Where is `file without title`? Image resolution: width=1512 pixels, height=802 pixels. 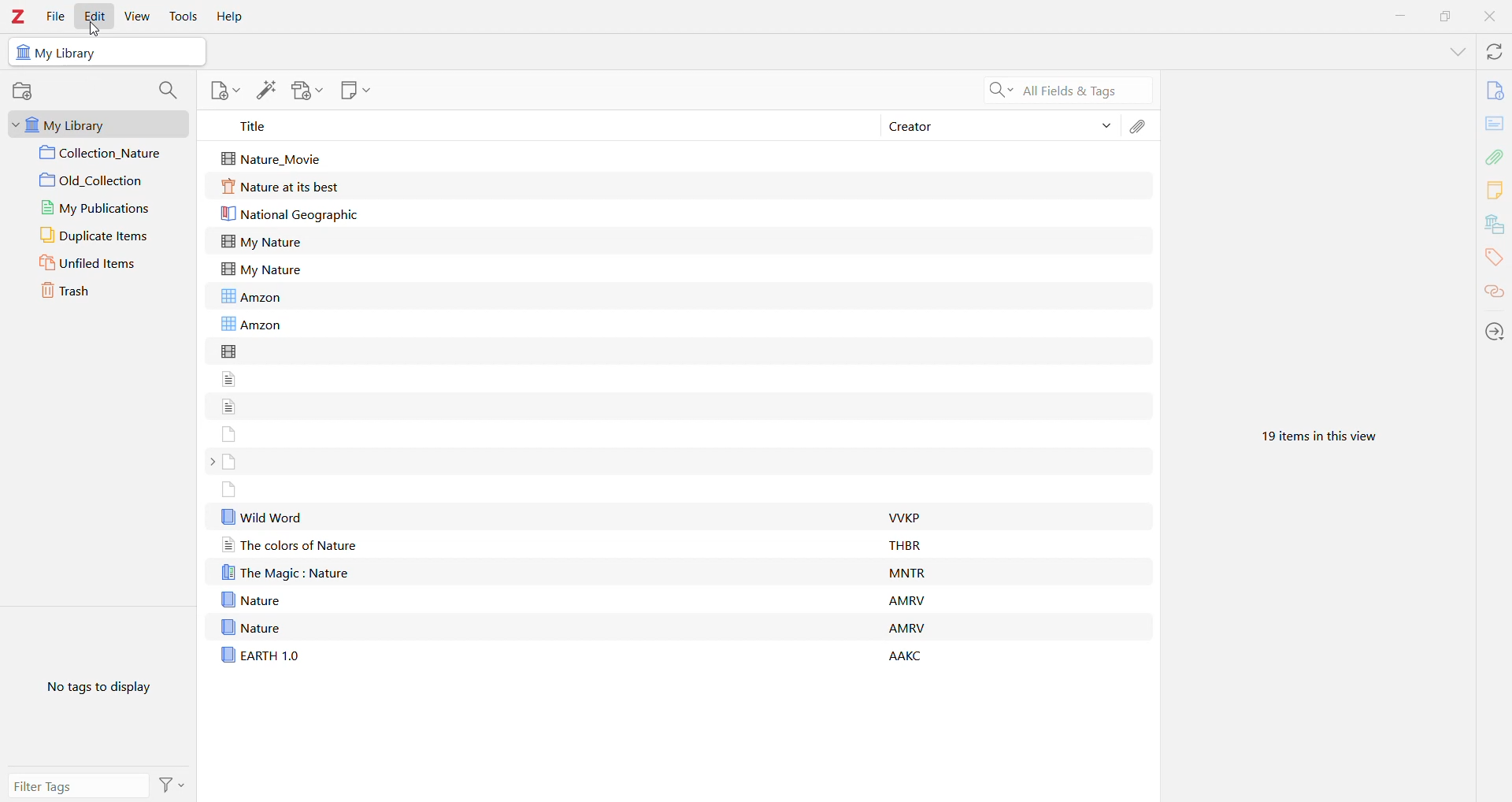
file without title is located at coordinates (231, 378).